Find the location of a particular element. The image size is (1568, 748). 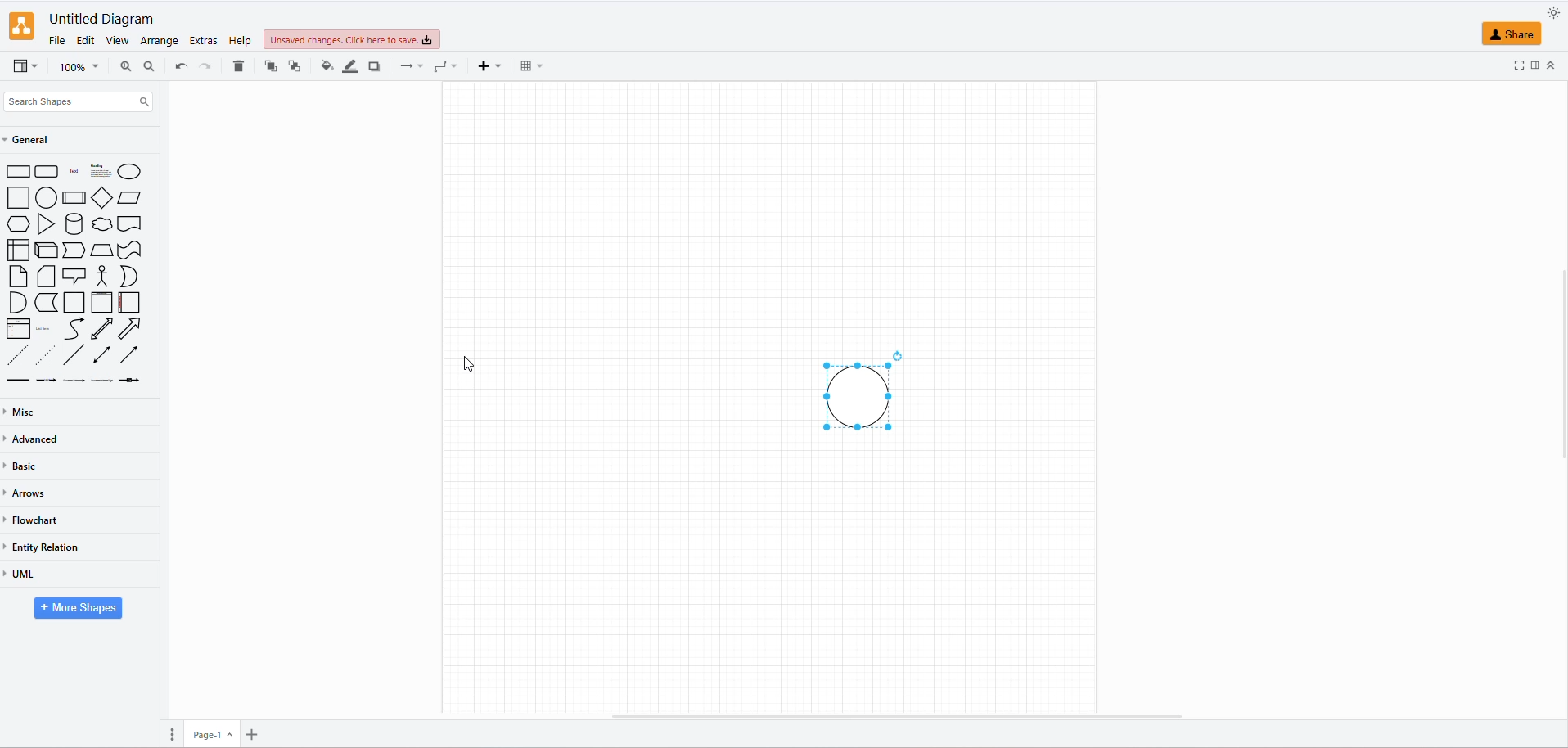

DASHED LINE is located at coordinates (15, 354).